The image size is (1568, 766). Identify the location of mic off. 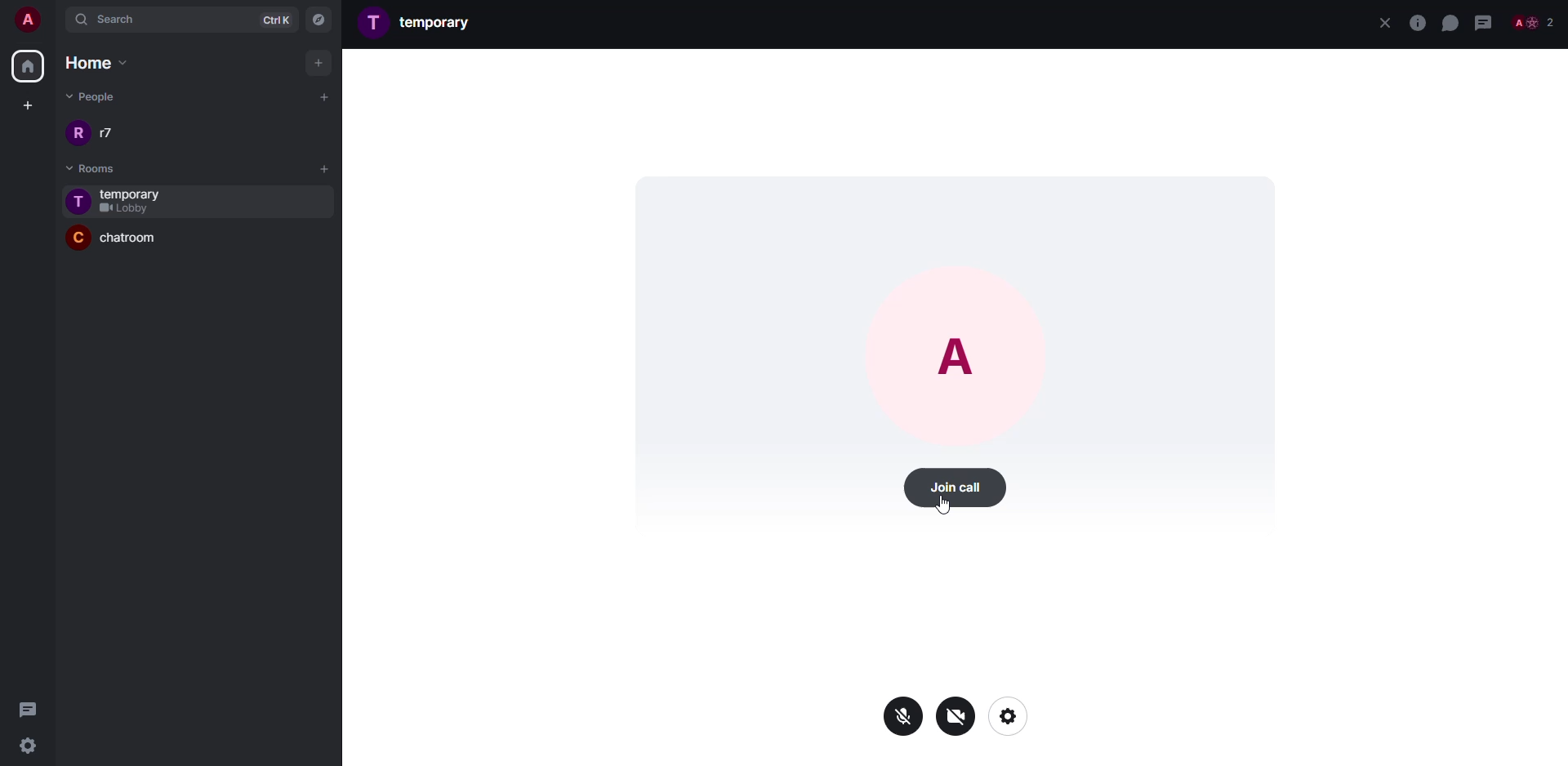
(906, 715).